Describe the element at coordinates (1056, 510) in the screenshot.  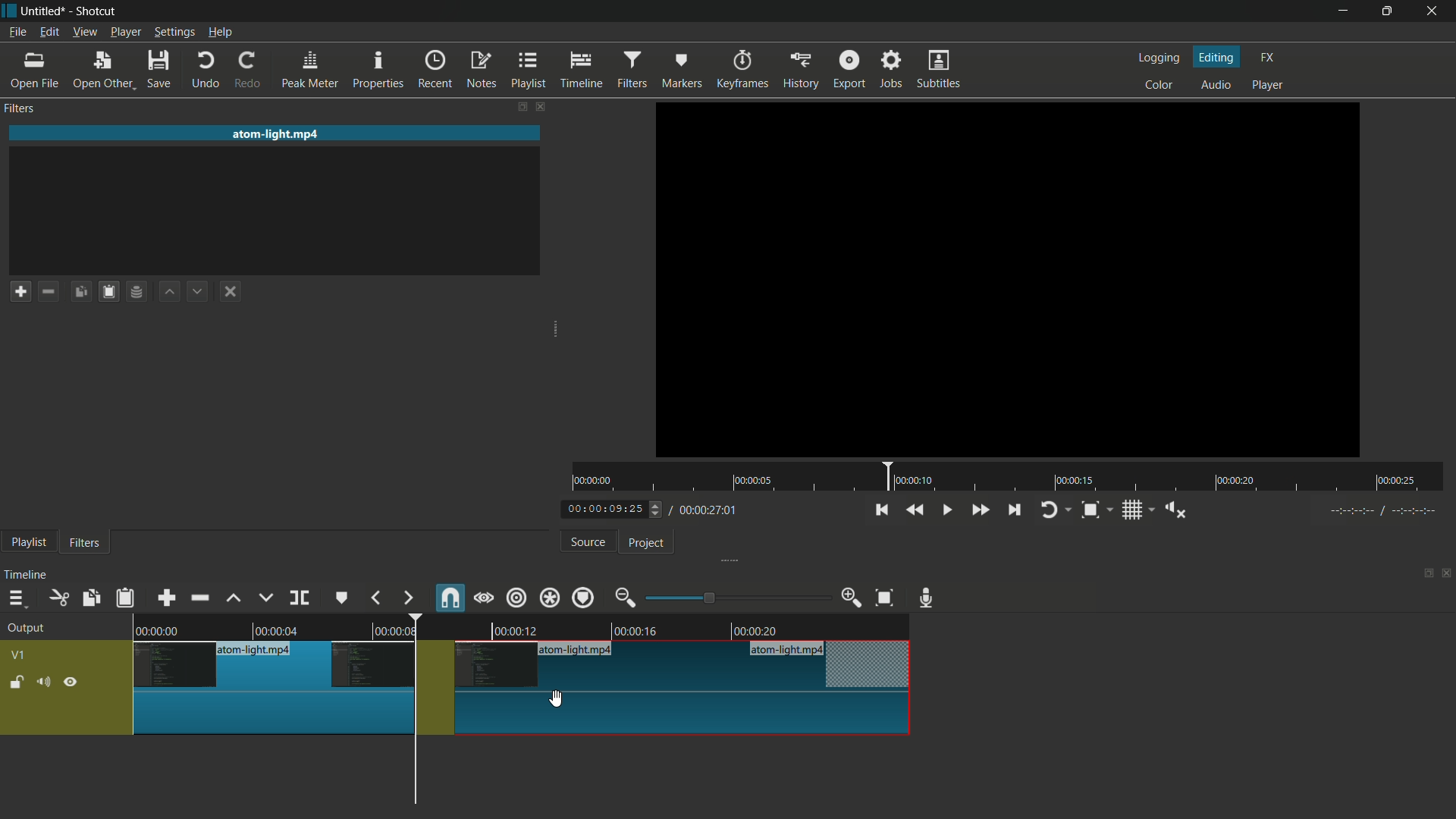
I see `toggle player looping` at that location.